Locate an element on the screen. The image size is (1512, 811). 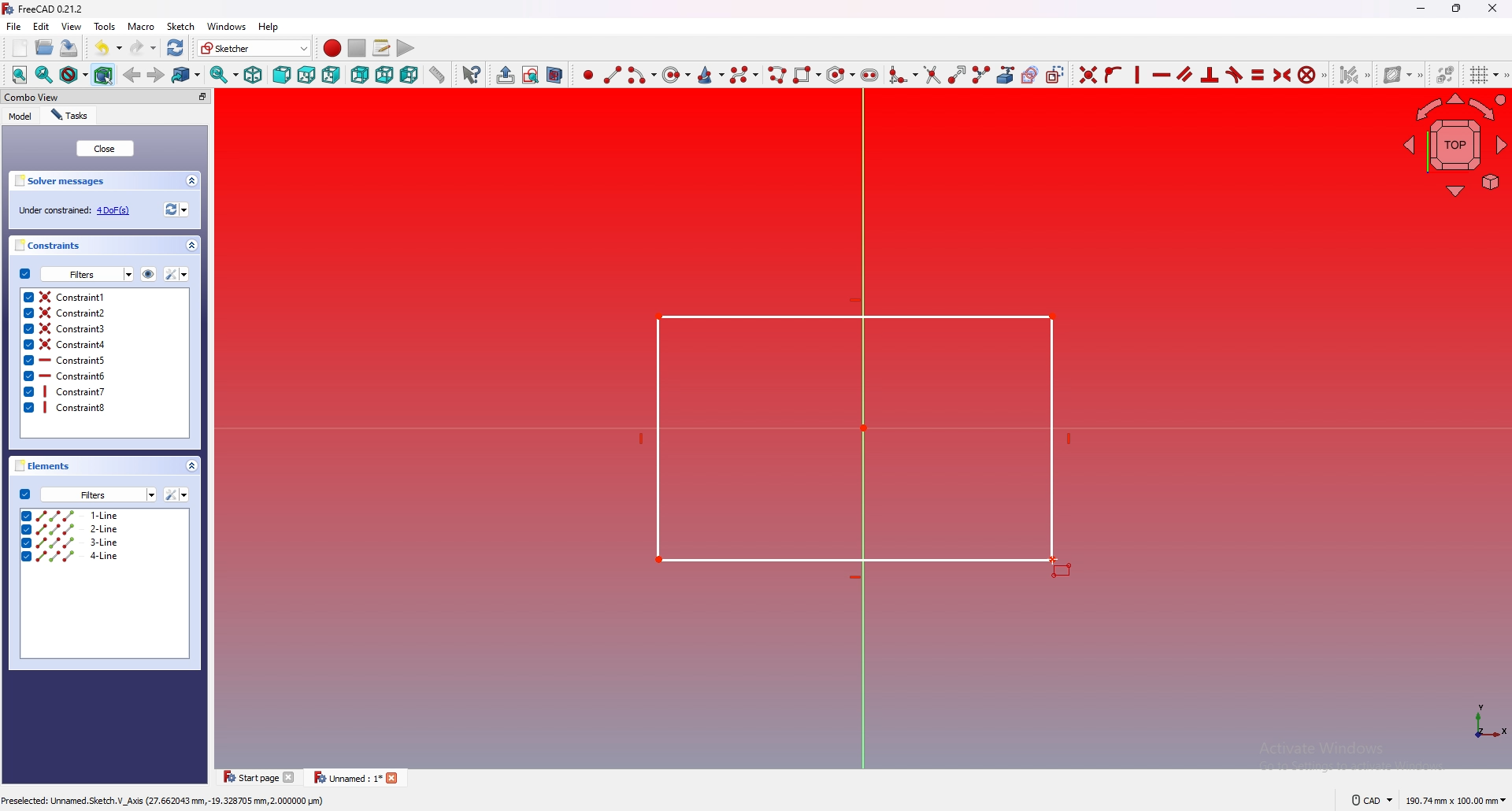
constraint 2 is located at coordinates (104, 312).